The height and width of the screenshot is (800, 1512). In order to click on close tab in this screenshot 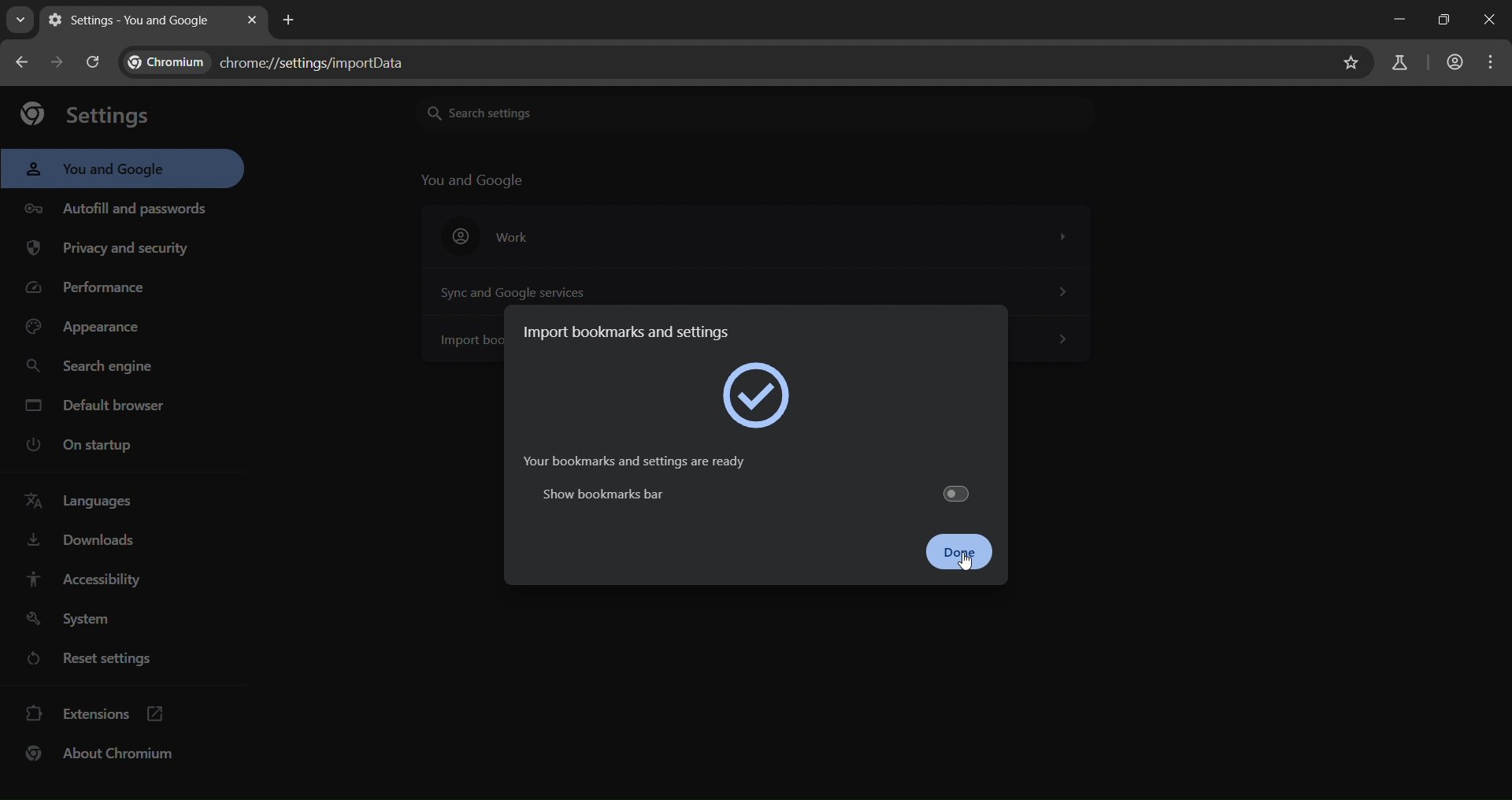, I will do `click(254, 20)`.